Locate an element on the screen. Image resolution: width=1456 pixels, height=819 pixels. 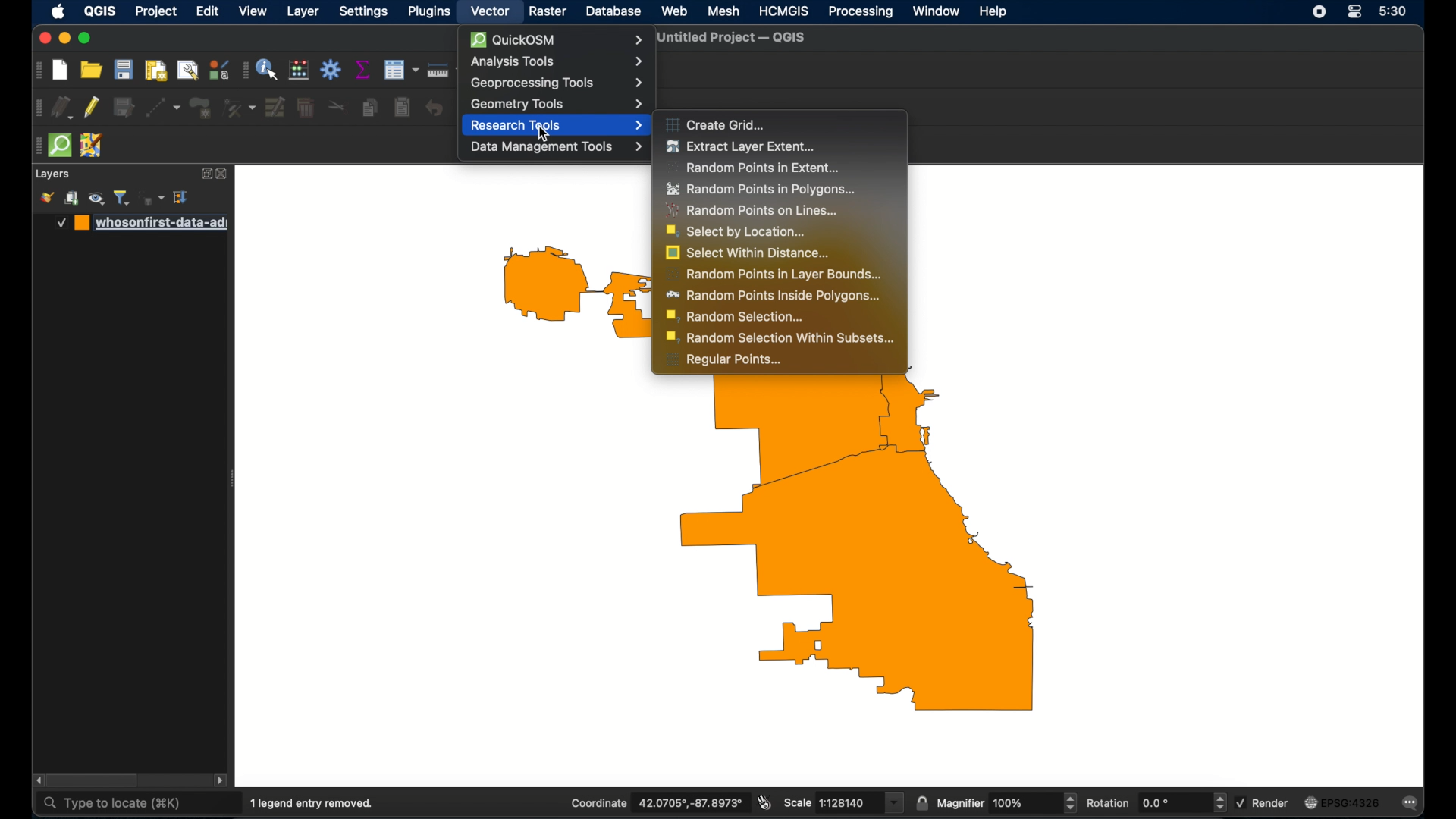
magnifier is located at coordinates (1006, 803).